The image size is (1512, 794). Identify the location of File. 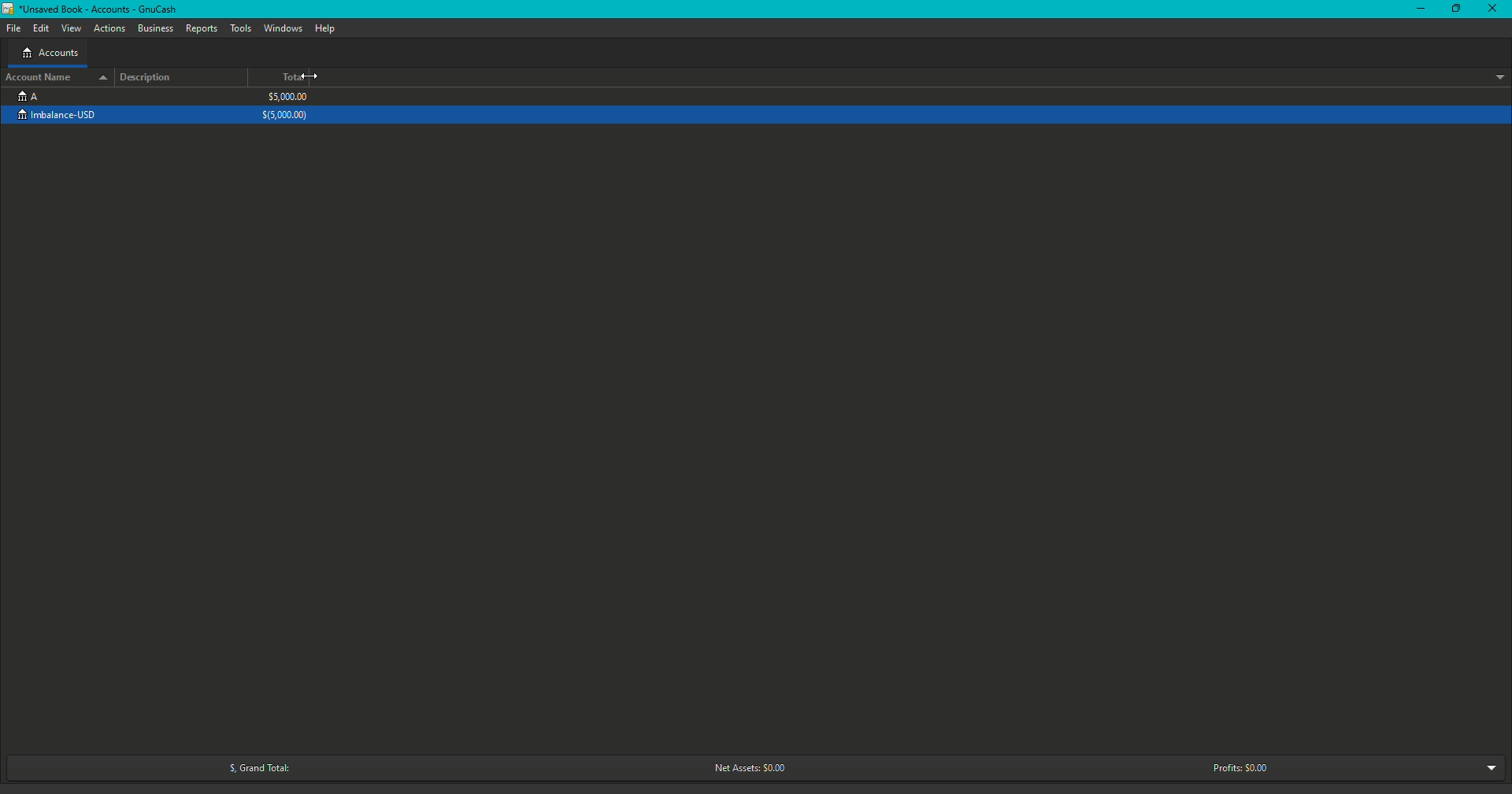
(17, 28).